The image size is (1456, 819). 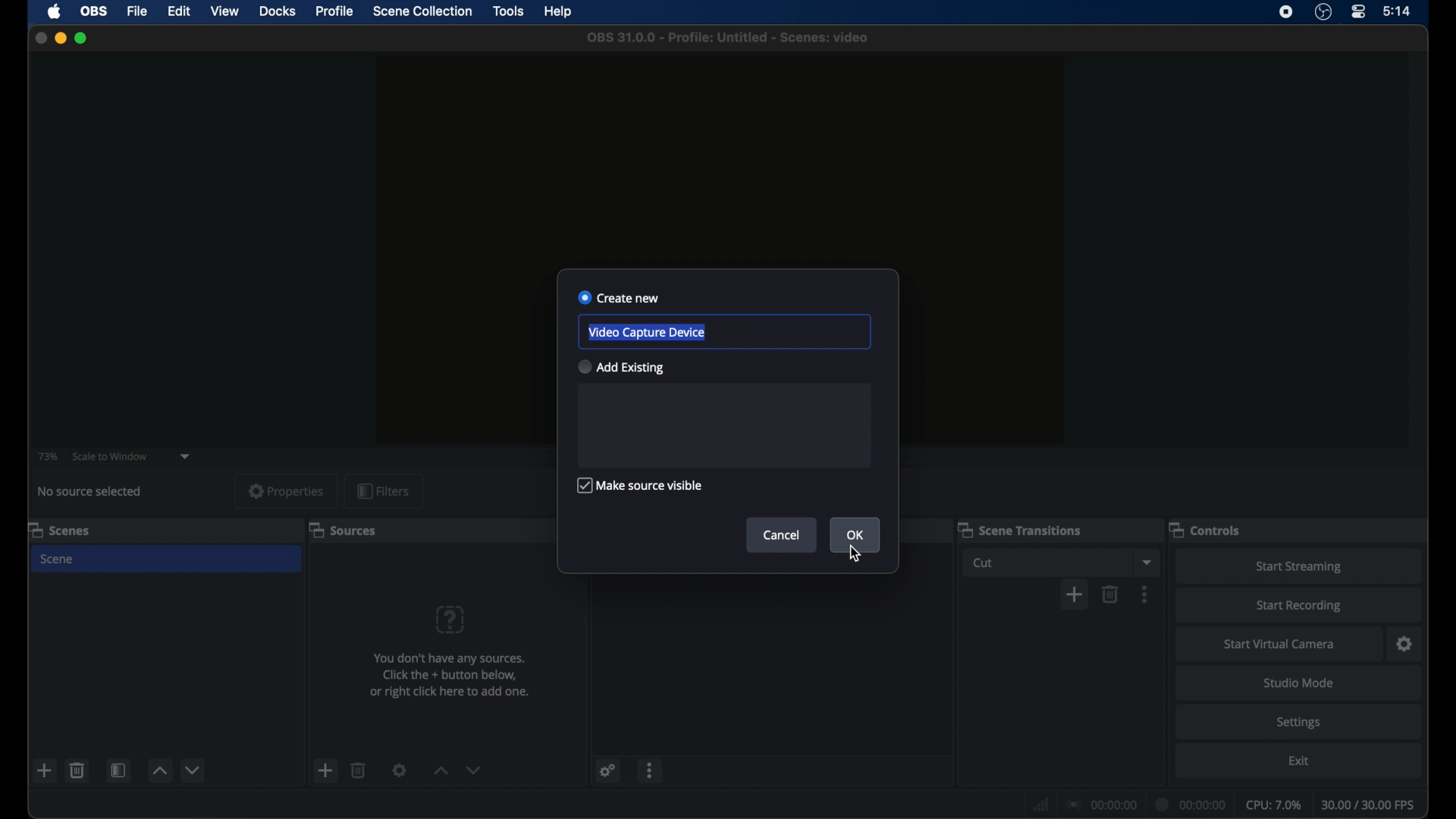 I want to click on delete, so click(x=1110, y=595).